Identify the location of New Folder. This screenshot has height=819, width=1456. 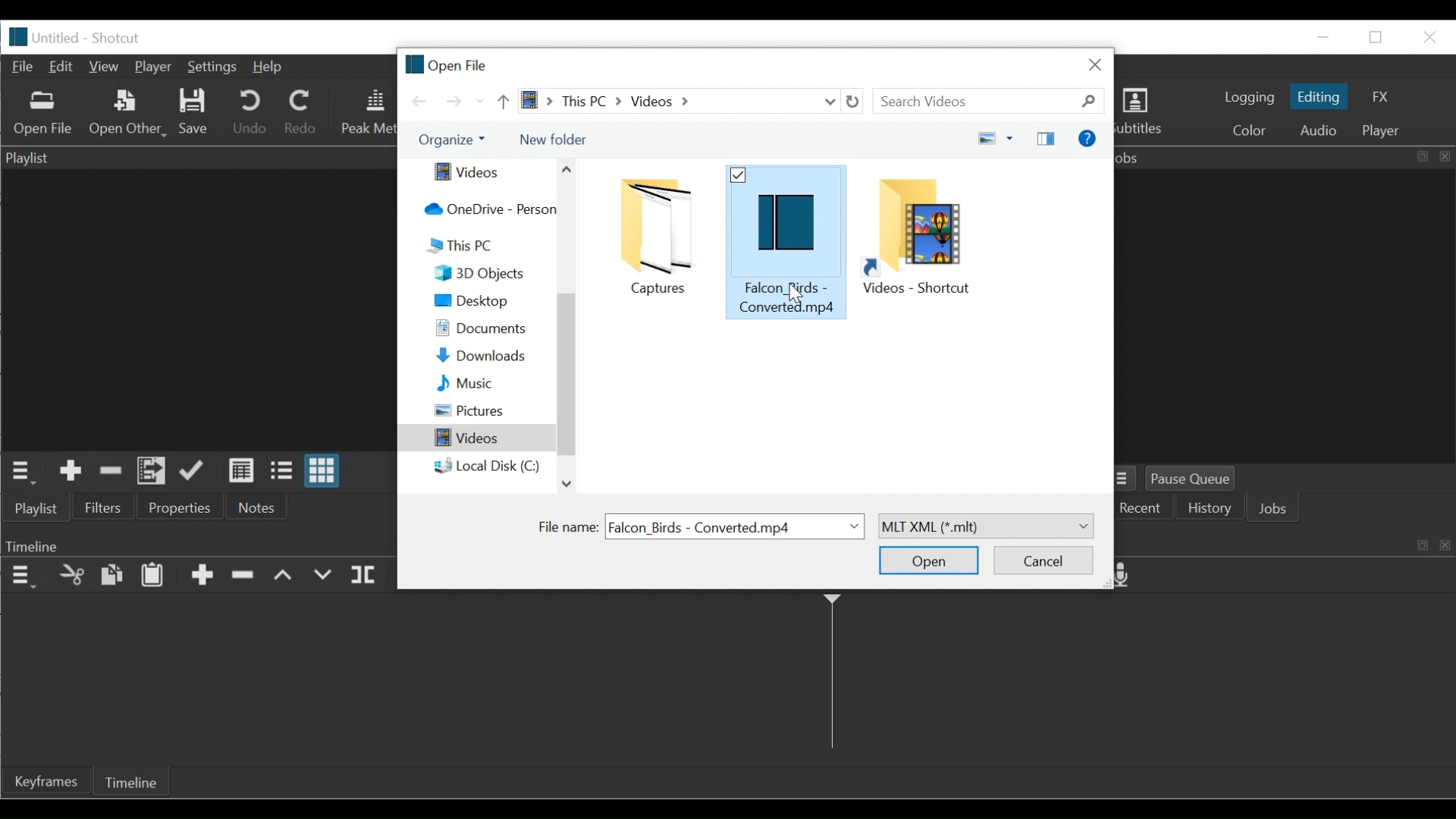
(553, 140).